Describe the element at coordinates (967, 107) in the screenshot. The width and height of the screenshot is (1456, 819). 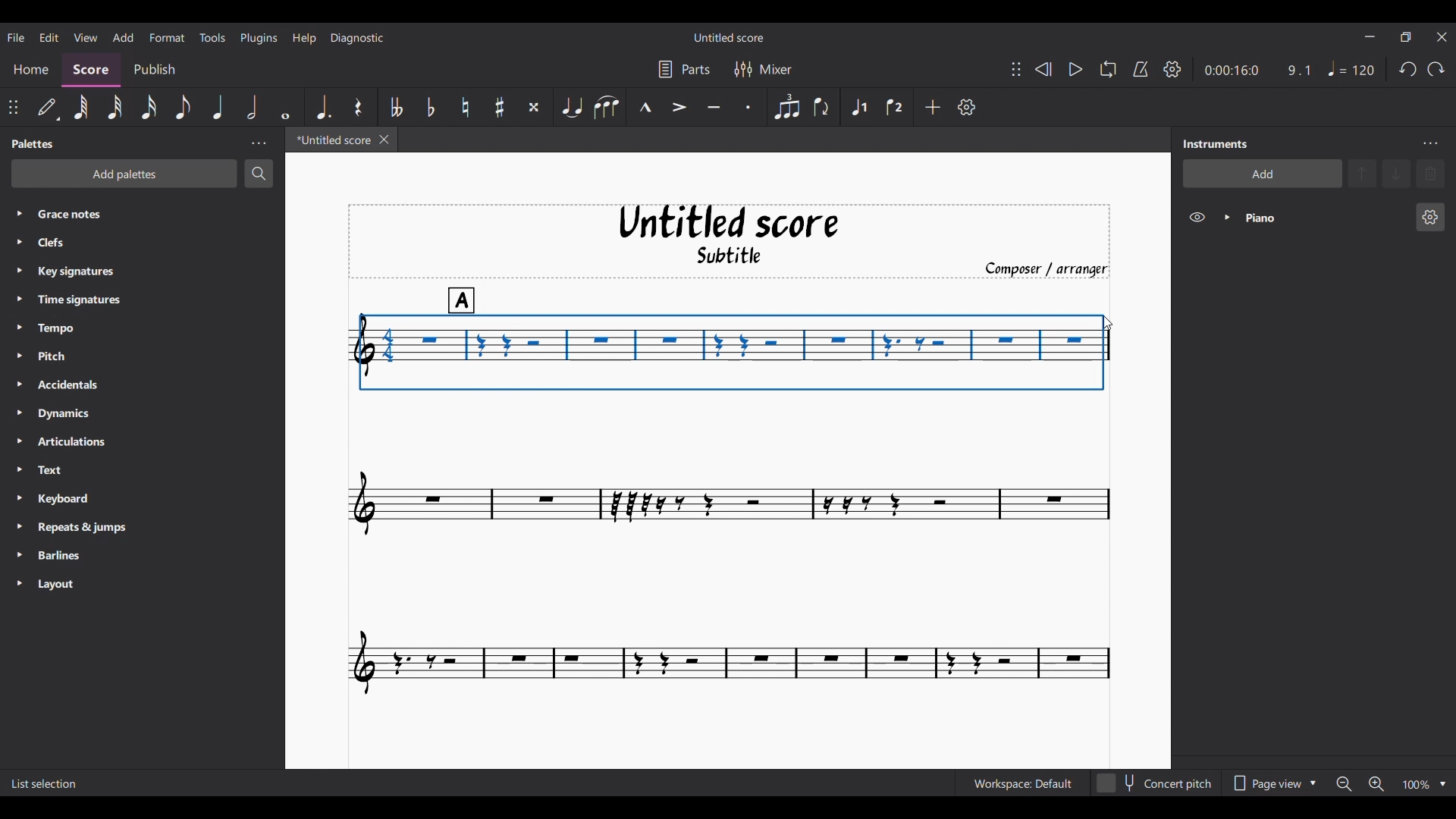
I see `Customize toolbar` at that location.